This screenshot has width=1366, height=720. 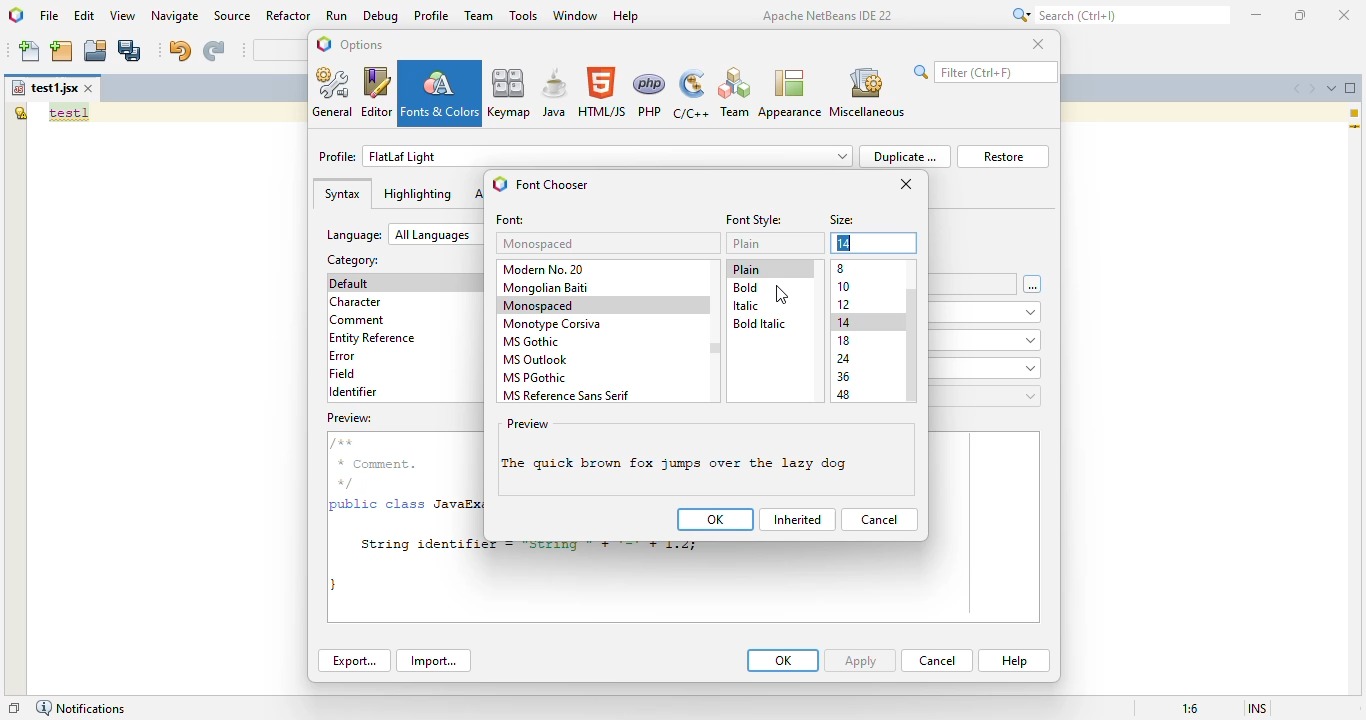 What do you see at coordinates (69, 113) in the screenshot?
I see `text` at bounding box center [69, 113].